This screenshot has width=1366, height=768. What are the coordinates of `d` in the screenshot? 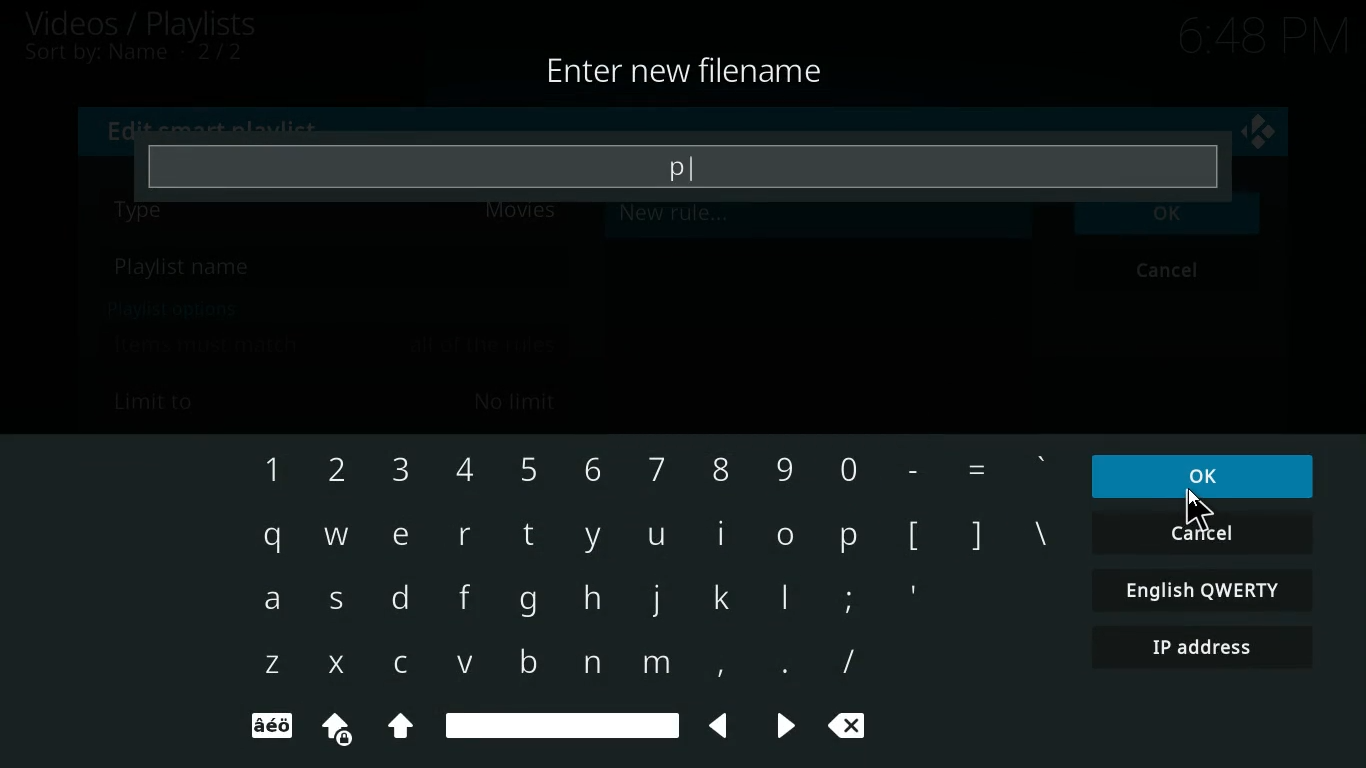 It's located at (401, 600).